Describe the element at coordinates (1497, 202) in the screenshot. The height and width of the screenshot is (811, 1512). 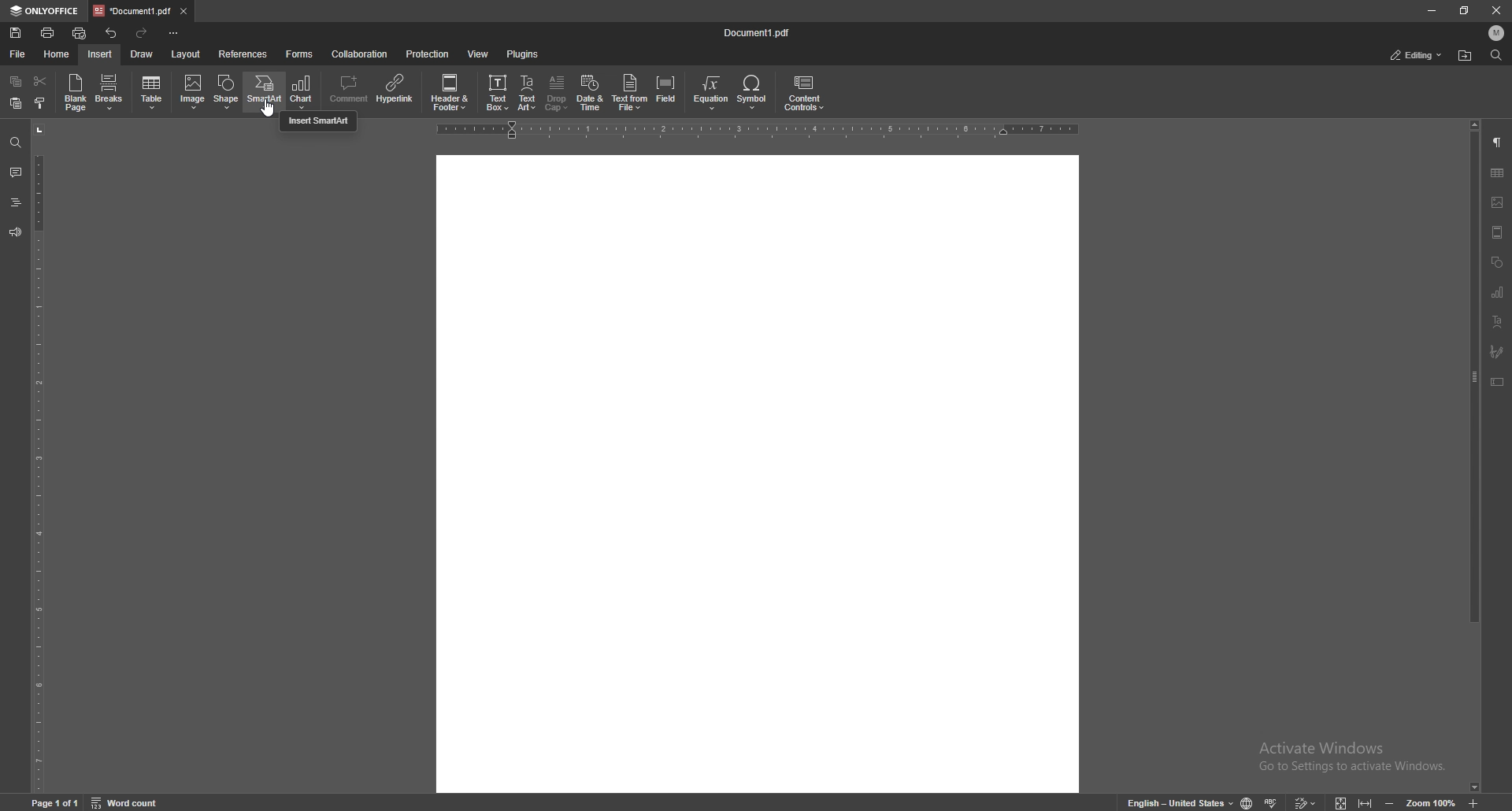
I see `image` at that location.